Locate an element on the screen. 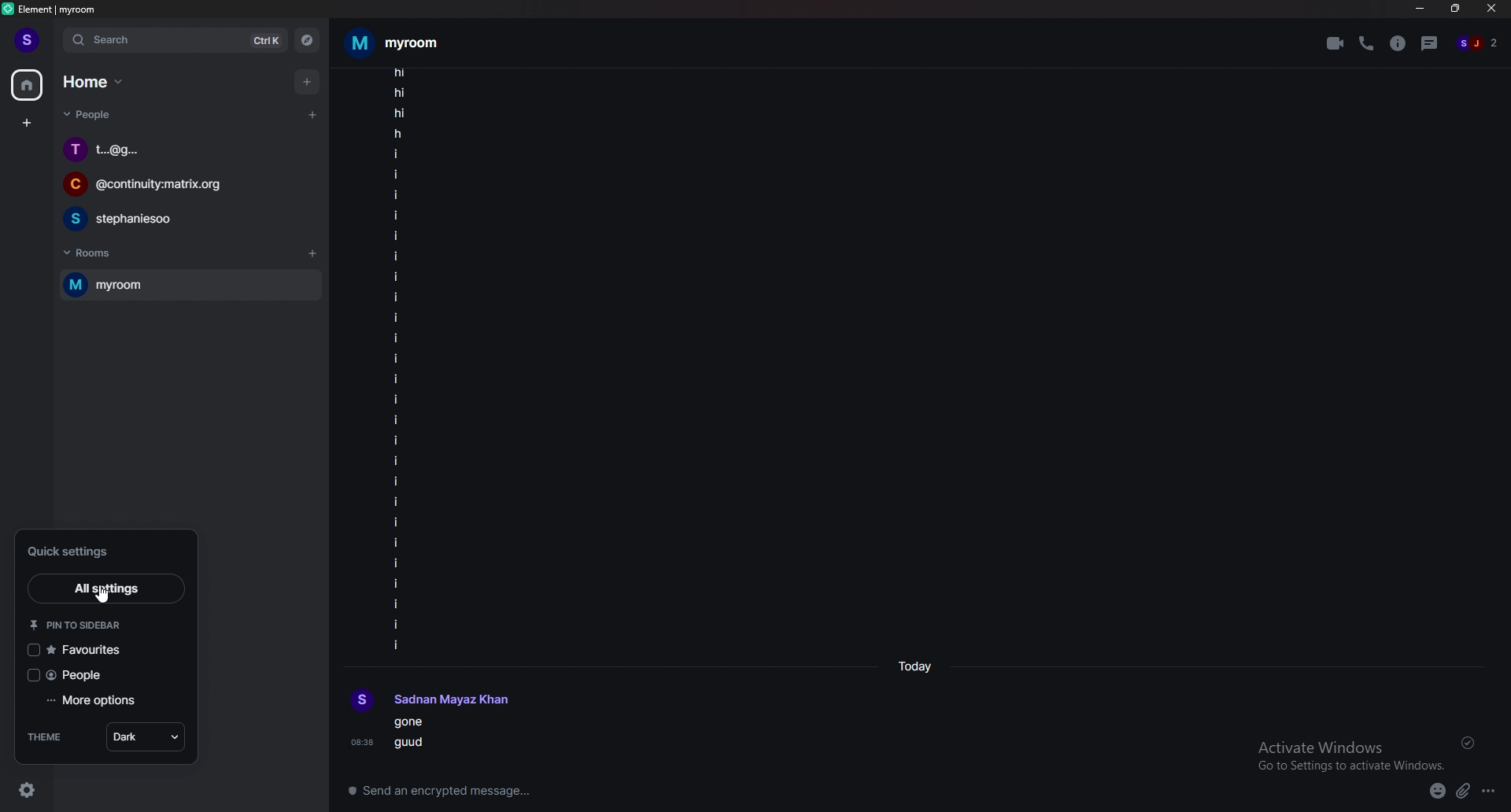 The height and width of the screenshot is (812, 1511). people is located at coordinates (1482, 43).